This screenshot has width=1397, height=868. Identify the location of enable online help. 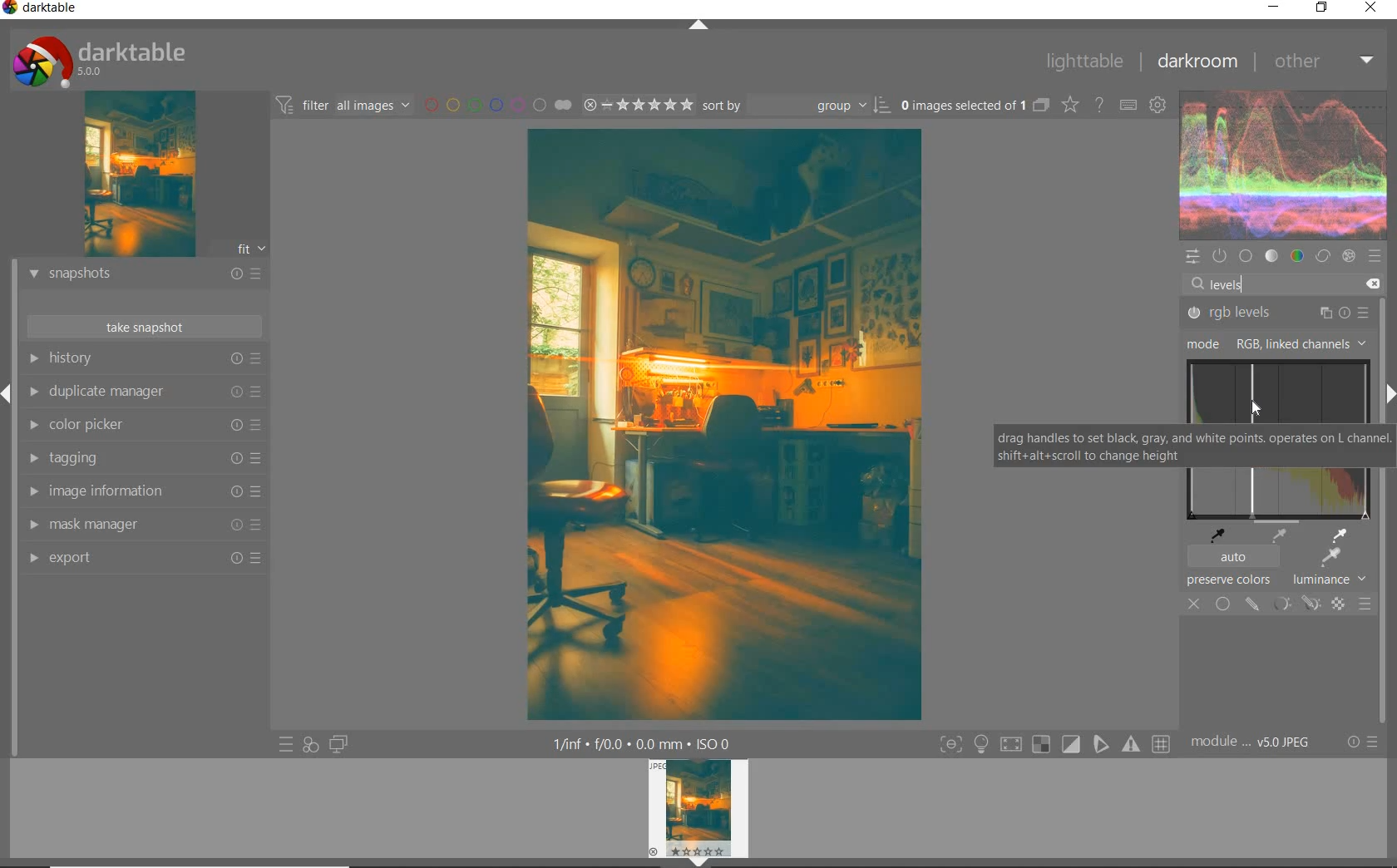
(1098, 105).